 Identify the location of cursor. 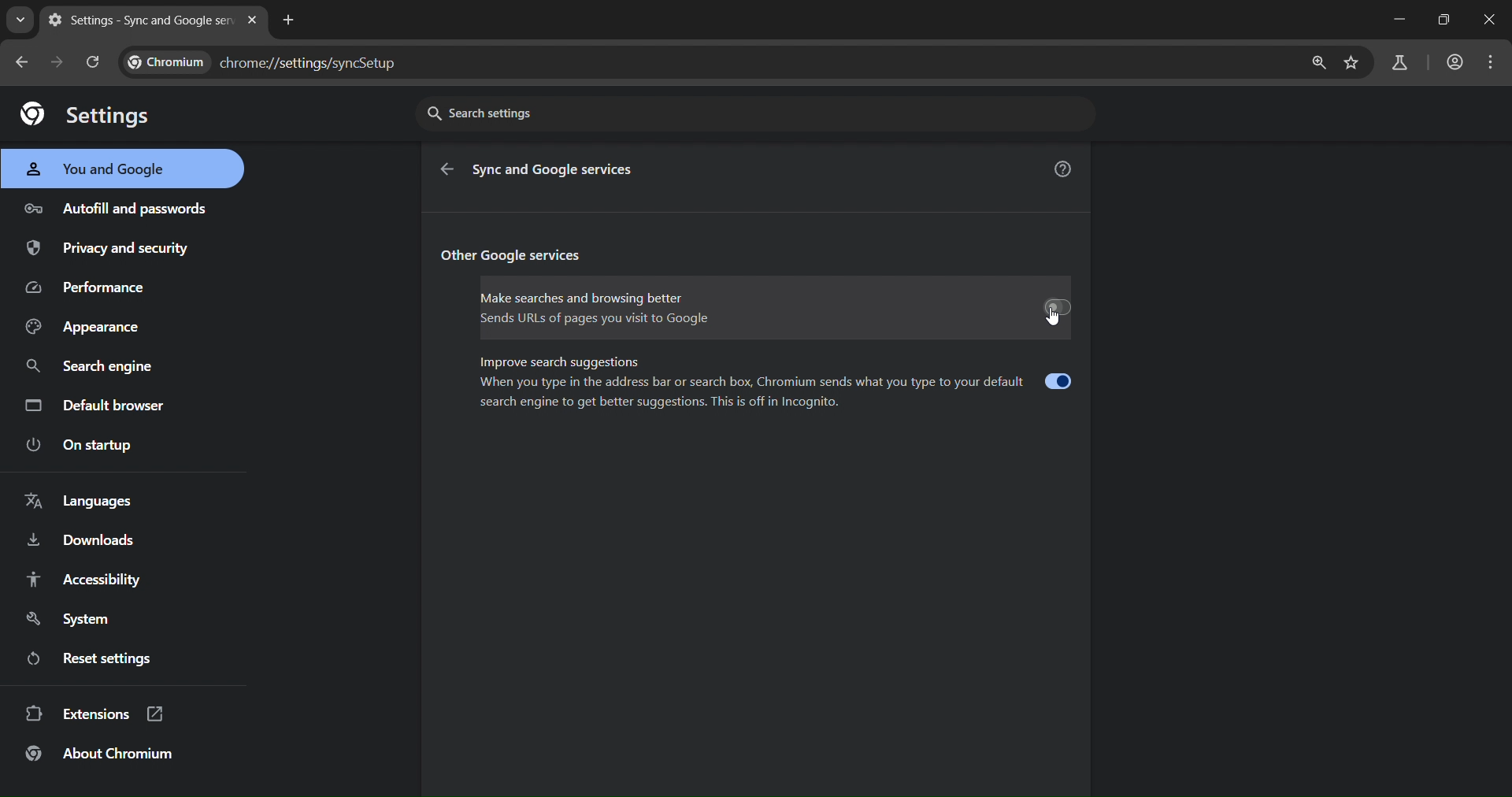
(1055, 321).